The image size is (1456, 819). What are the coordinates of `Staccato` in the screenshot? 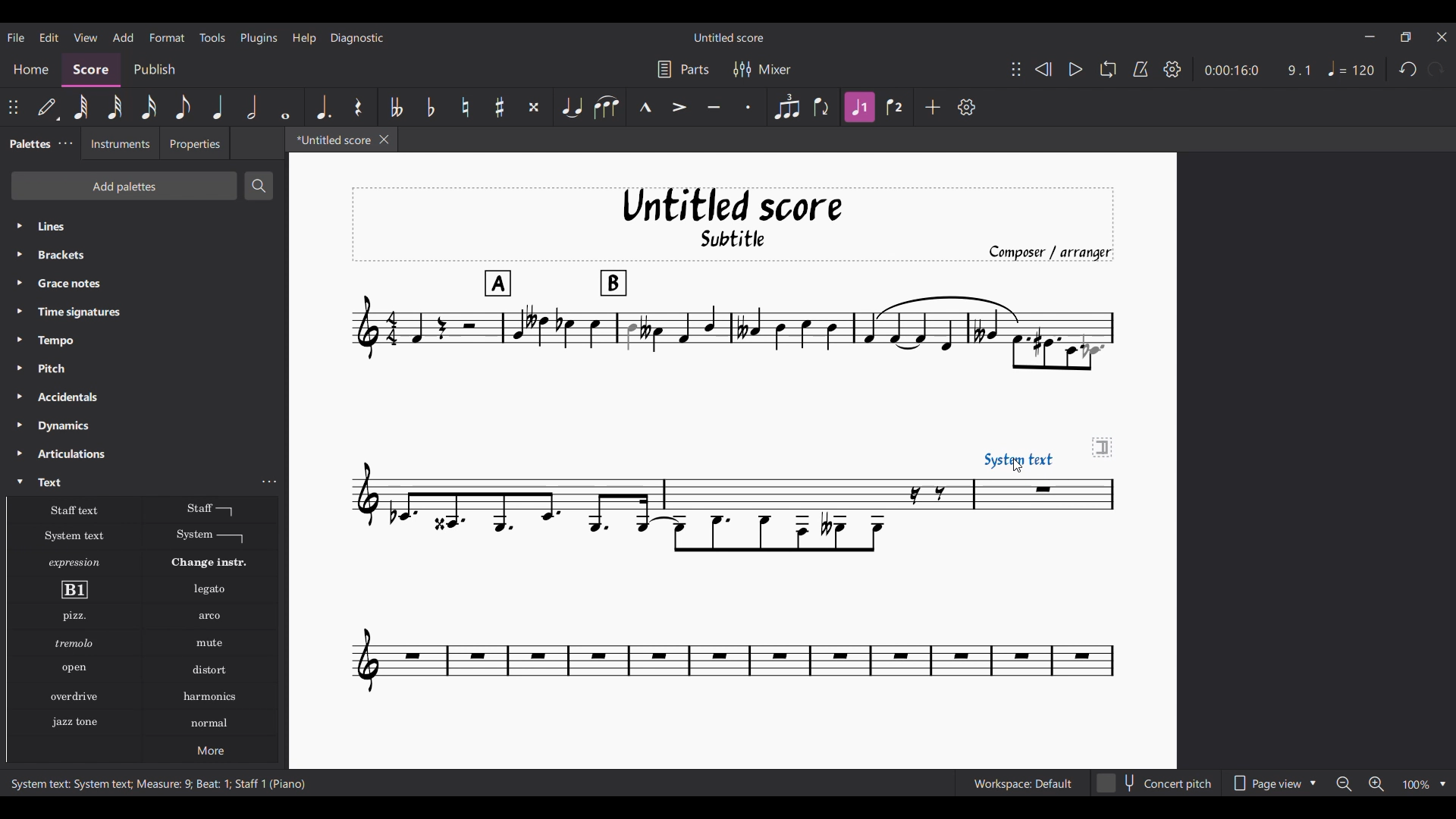 It's located at (748, 107).